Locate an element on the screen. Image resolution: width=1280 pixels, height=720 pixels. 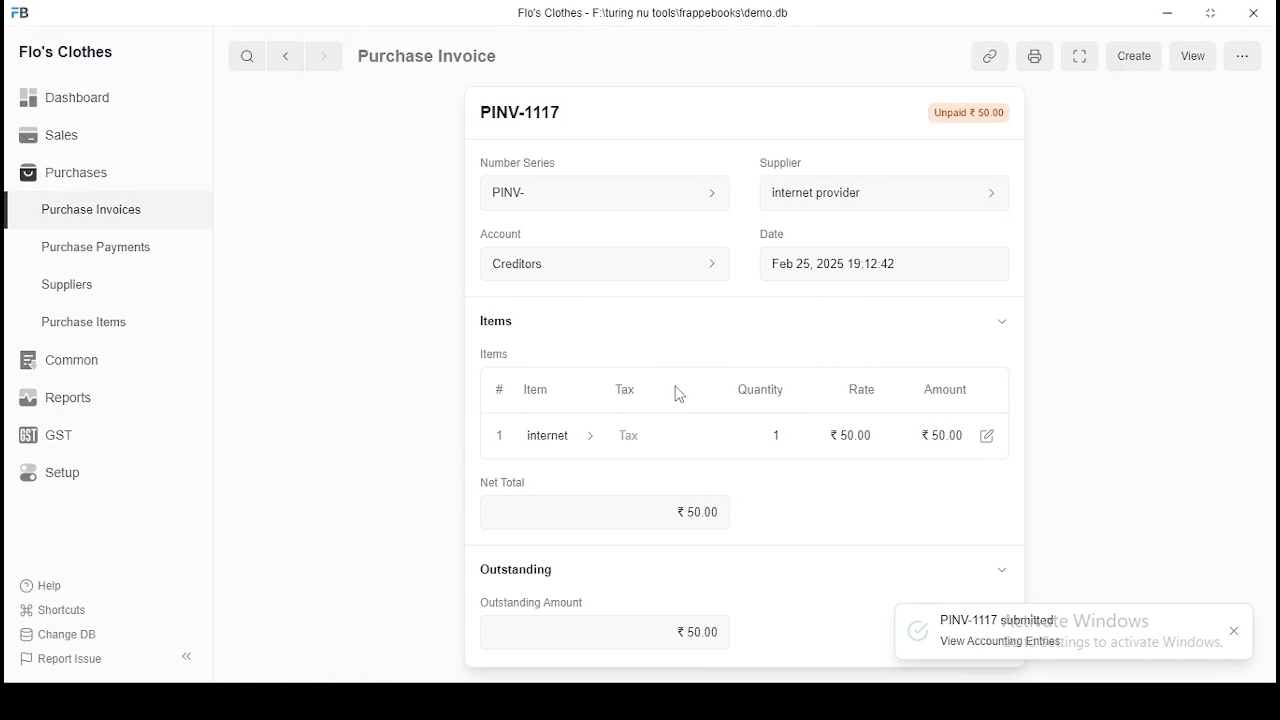
PINV-1117 submitted is located at coordinates (995, 621).